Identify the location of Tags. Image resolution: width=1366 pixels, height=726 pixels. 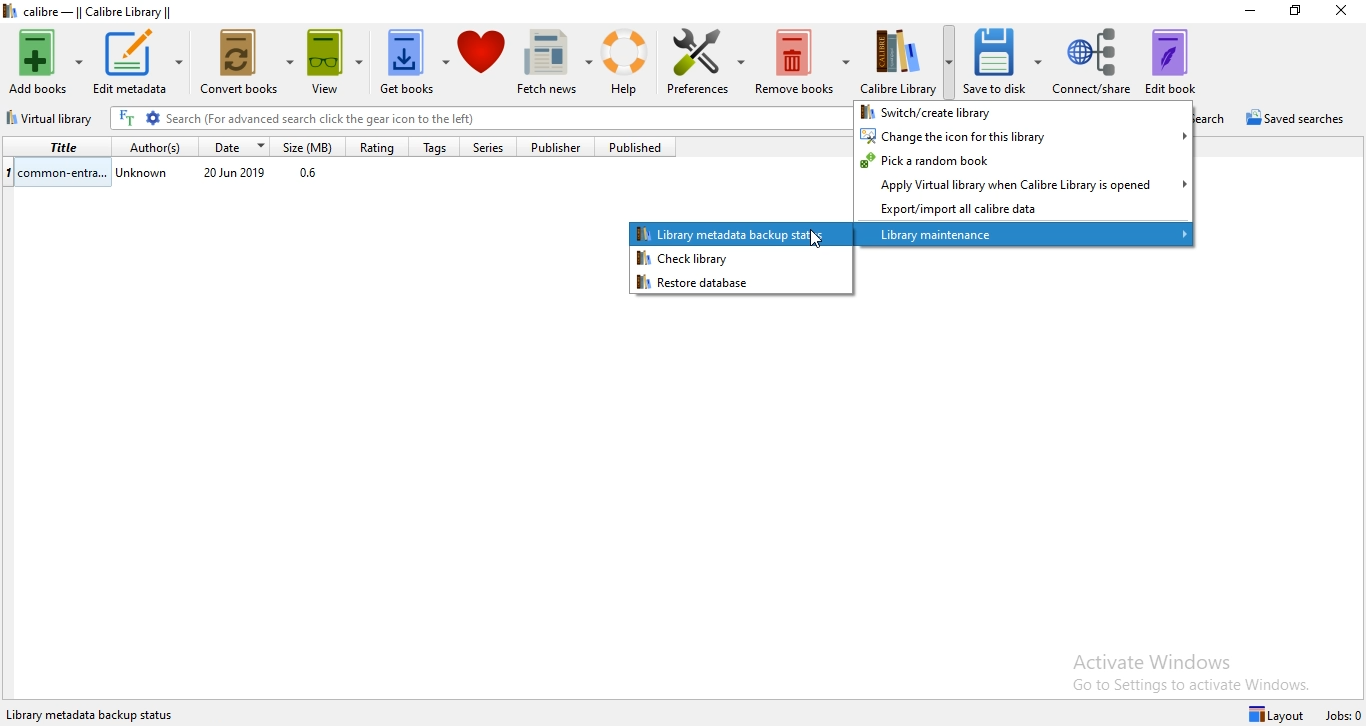
(433, 148).